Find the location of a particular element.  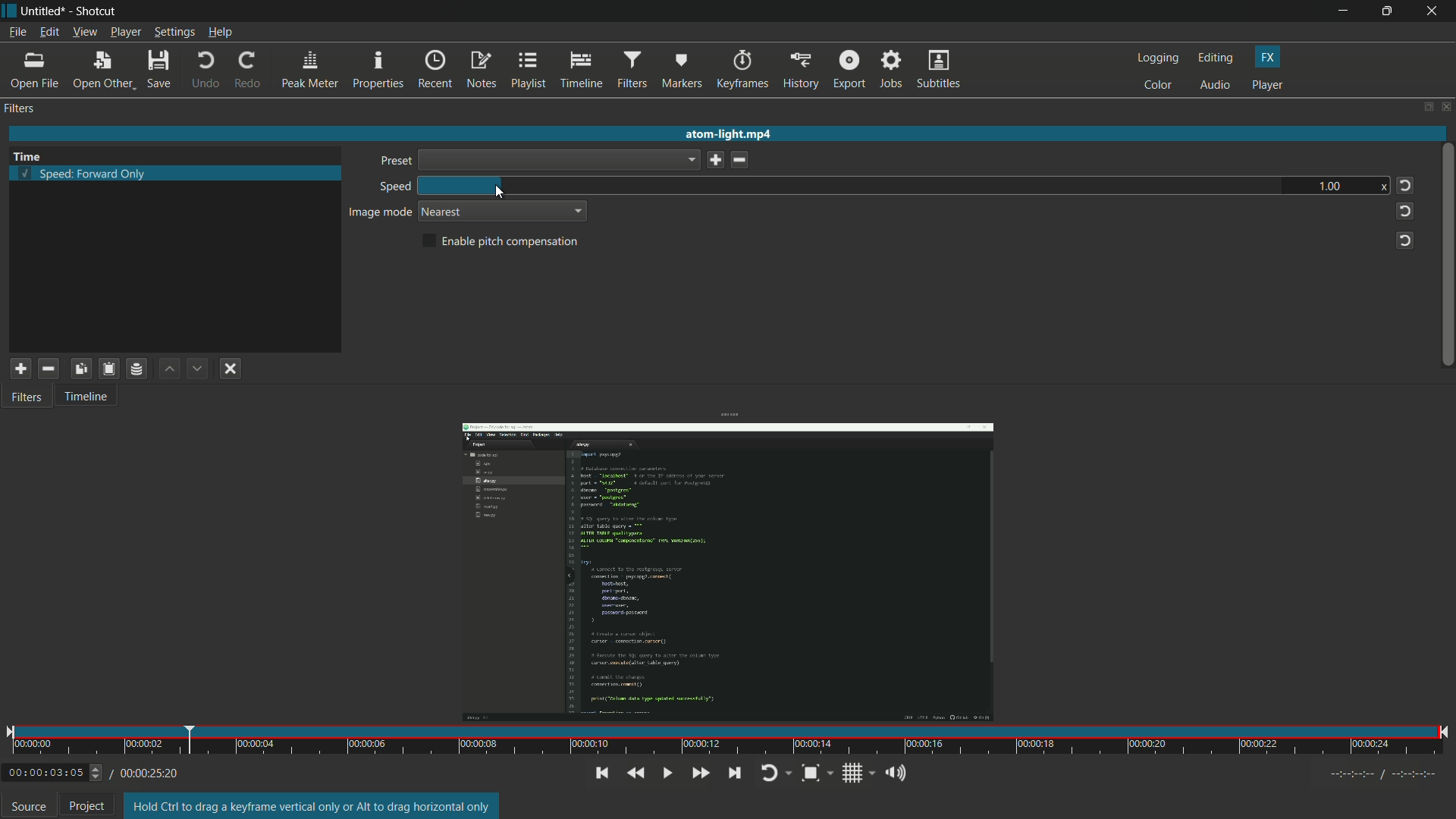

filters is located at coordinates (21, 108).